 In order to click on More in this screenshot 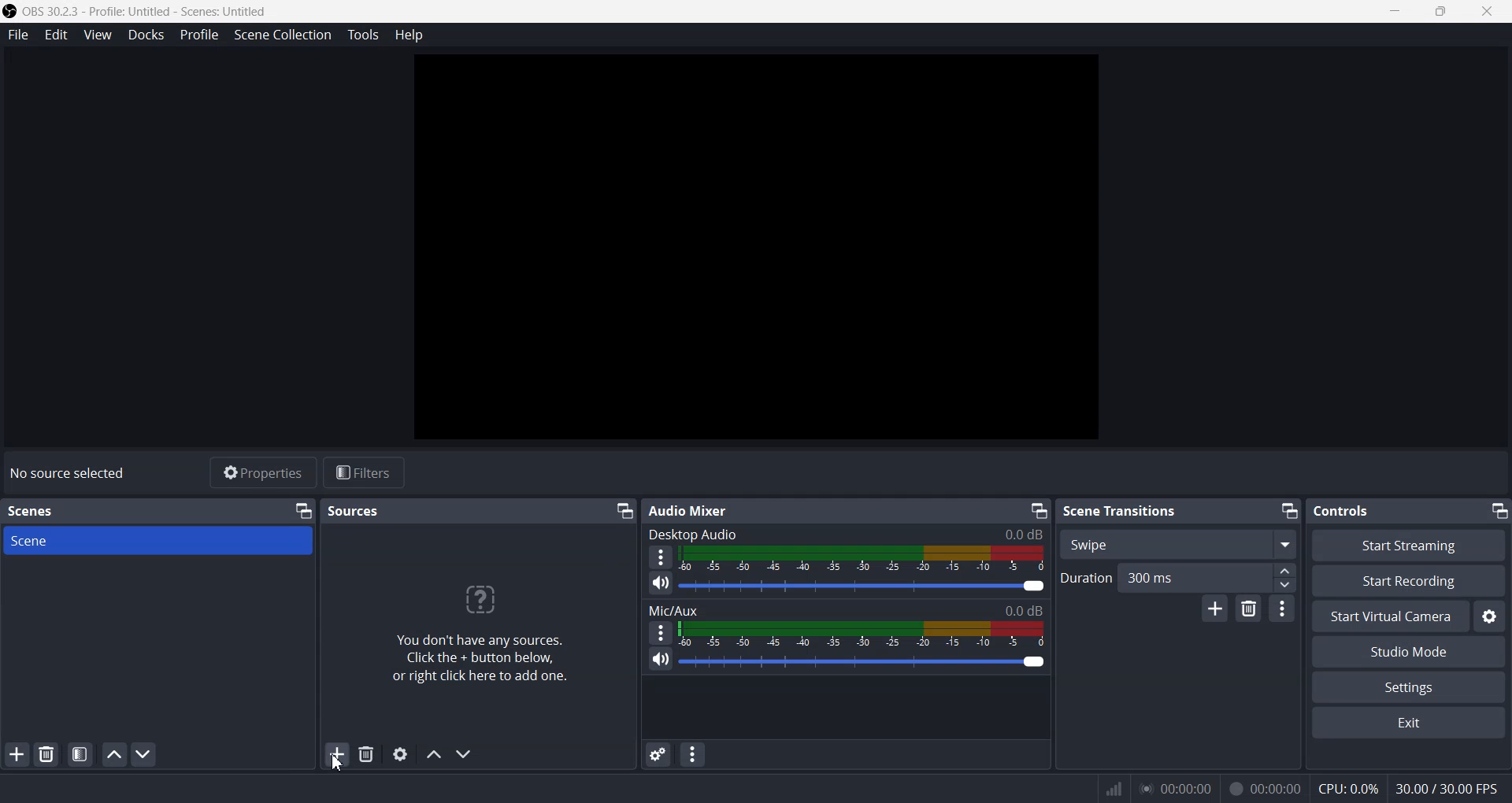, I will do `click(661, 557)`.